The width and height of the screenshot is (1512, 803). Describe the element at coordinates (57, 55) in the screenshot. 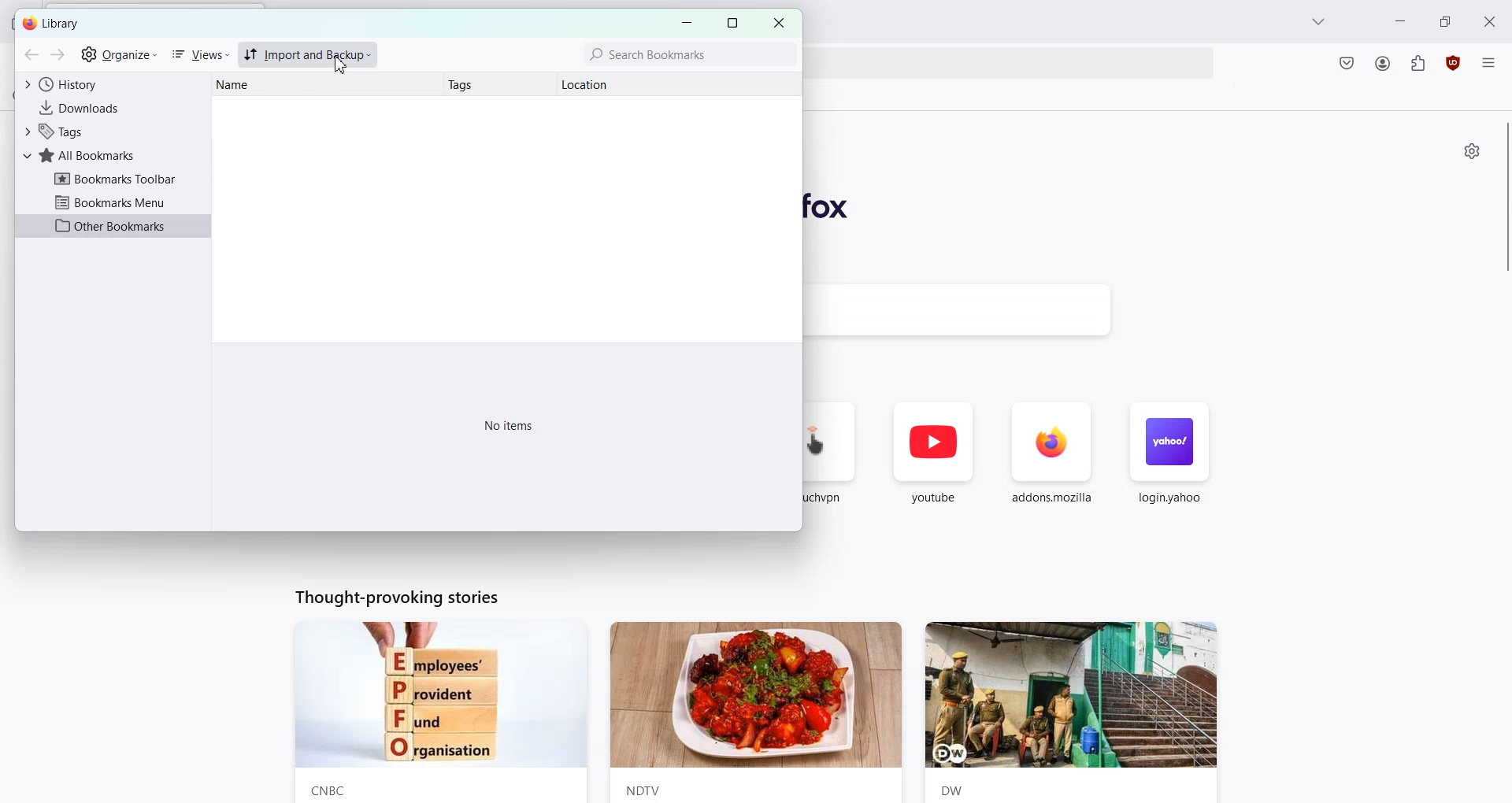

I see `Go Forward` at that location.